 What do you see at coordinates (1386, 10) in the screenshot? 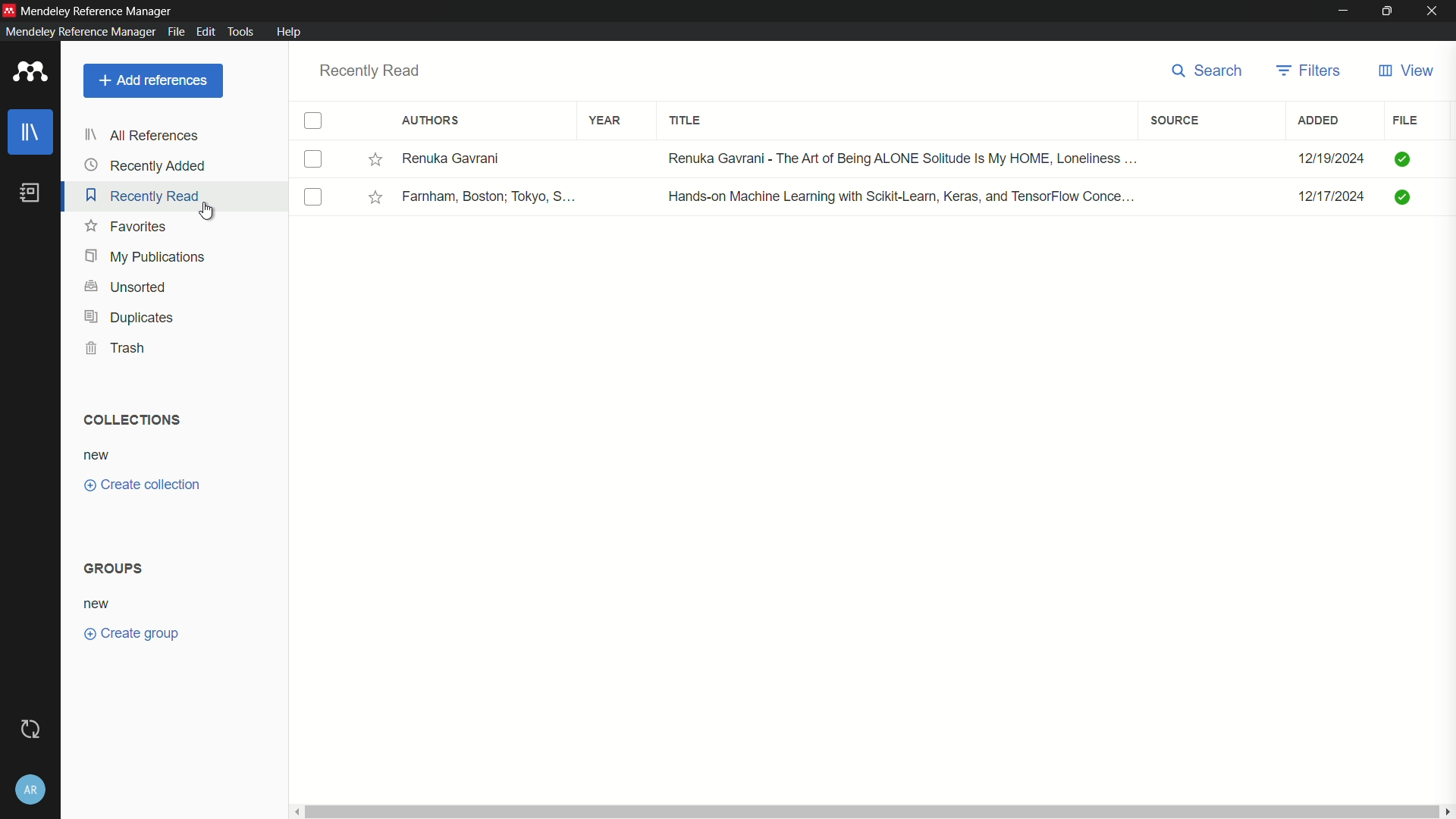
I see `maximize` at bounding box center [1386, 10].